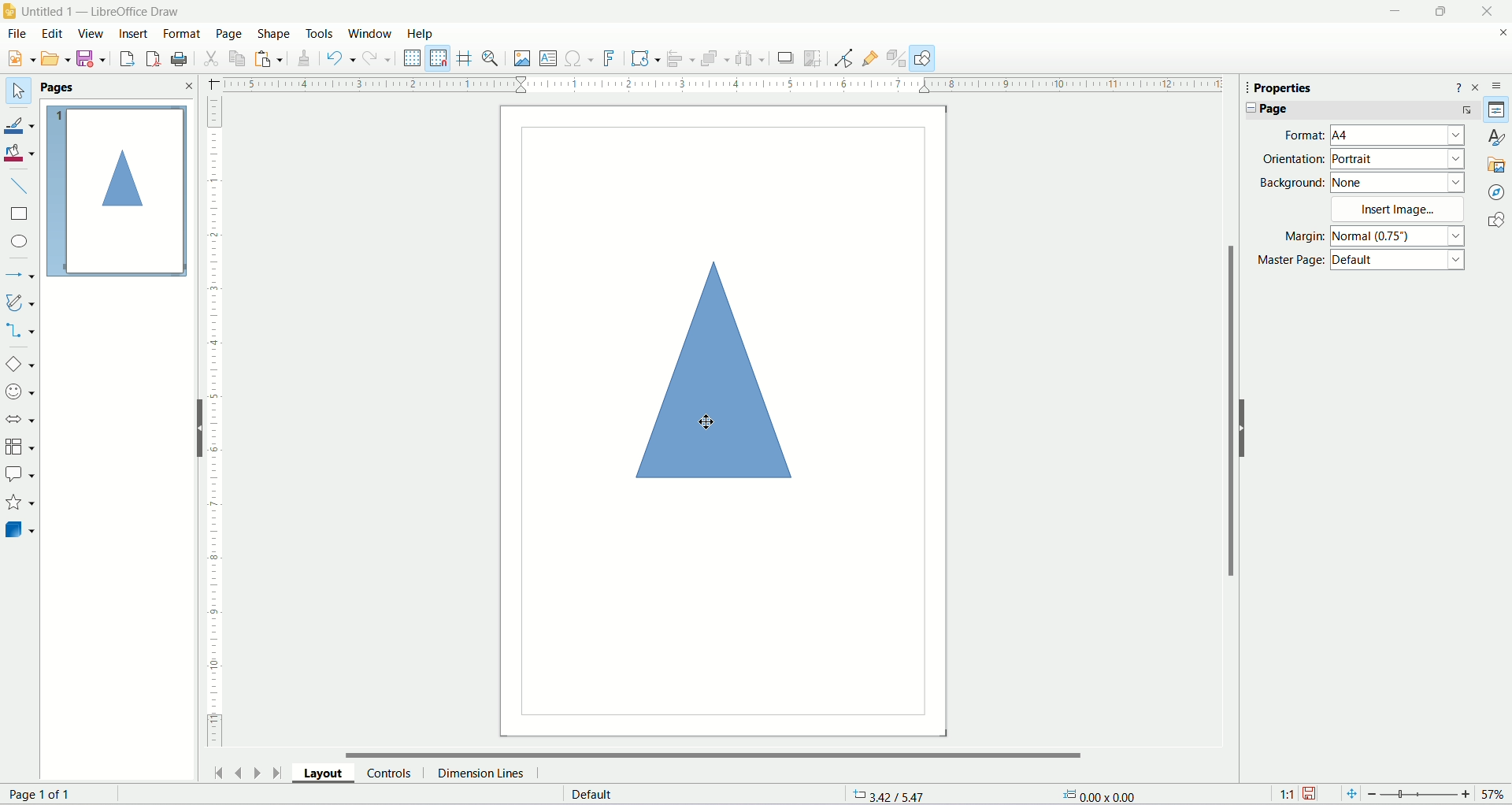 The width and height of the screenshot is (1512, 805). Describe the element at coordinates (269, 57) in the screenshot. I see `Paste` at that location.